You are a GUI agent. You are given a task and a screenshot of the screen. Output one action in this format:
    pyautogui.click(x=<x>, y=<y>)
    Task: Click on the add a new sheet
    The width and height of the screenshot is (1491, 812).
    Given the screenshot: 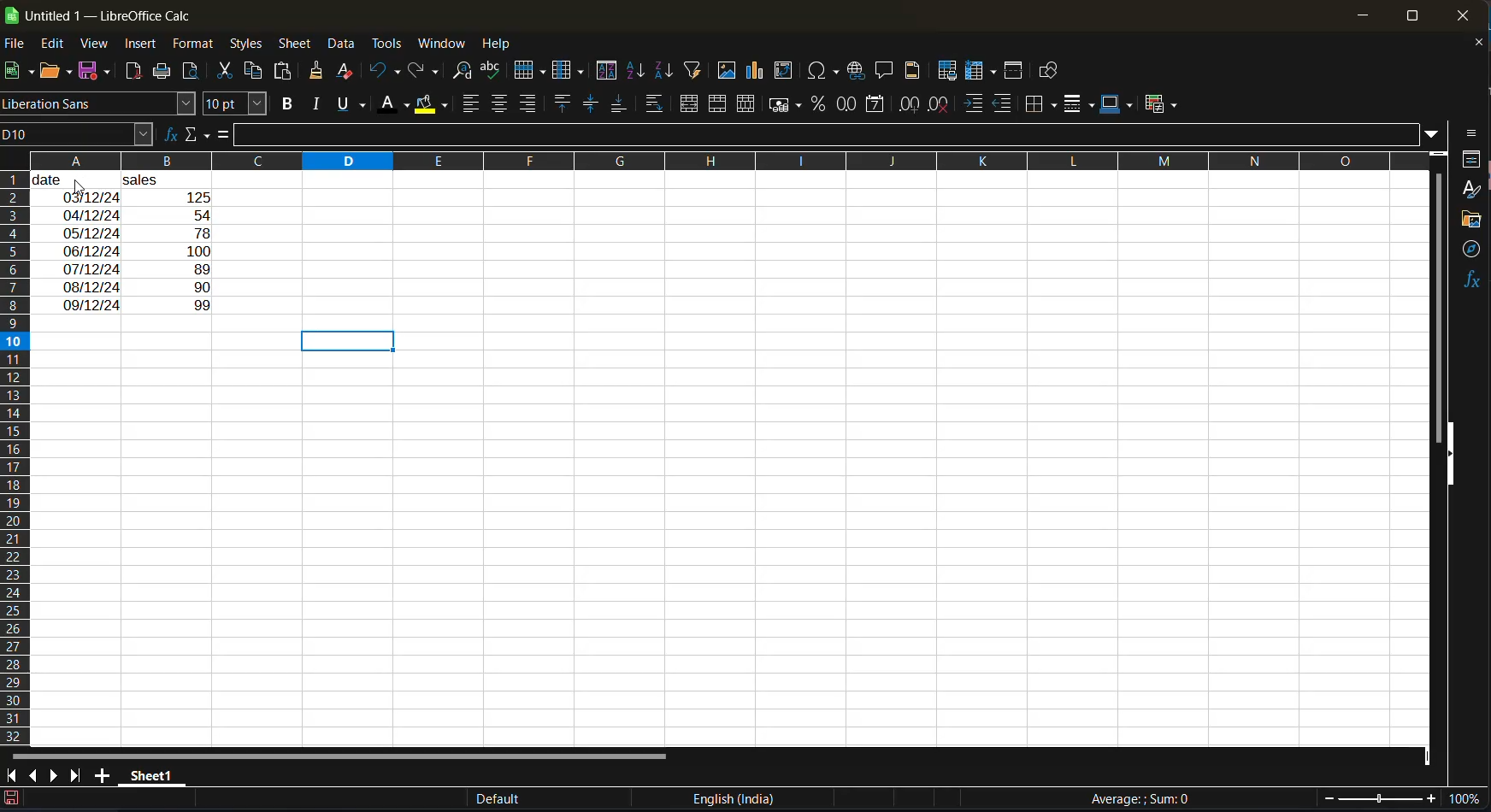 What is the action you would take?
    pyautogui.click(x=102, y=775)
    